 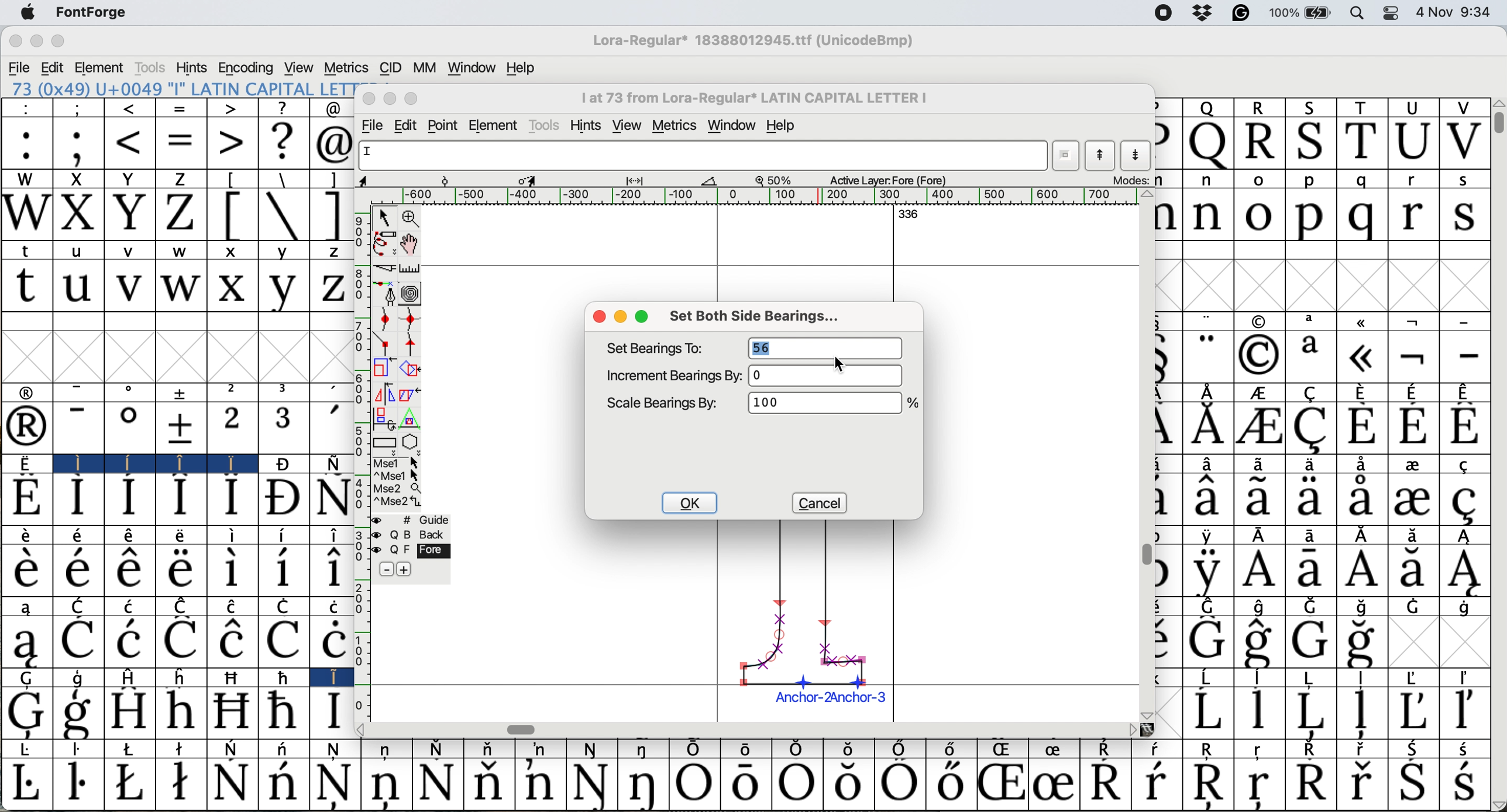 What do you see at coordinates (673, 375) in the screenshot?
I see `increment bearings by` at bounding box center [673, 375].